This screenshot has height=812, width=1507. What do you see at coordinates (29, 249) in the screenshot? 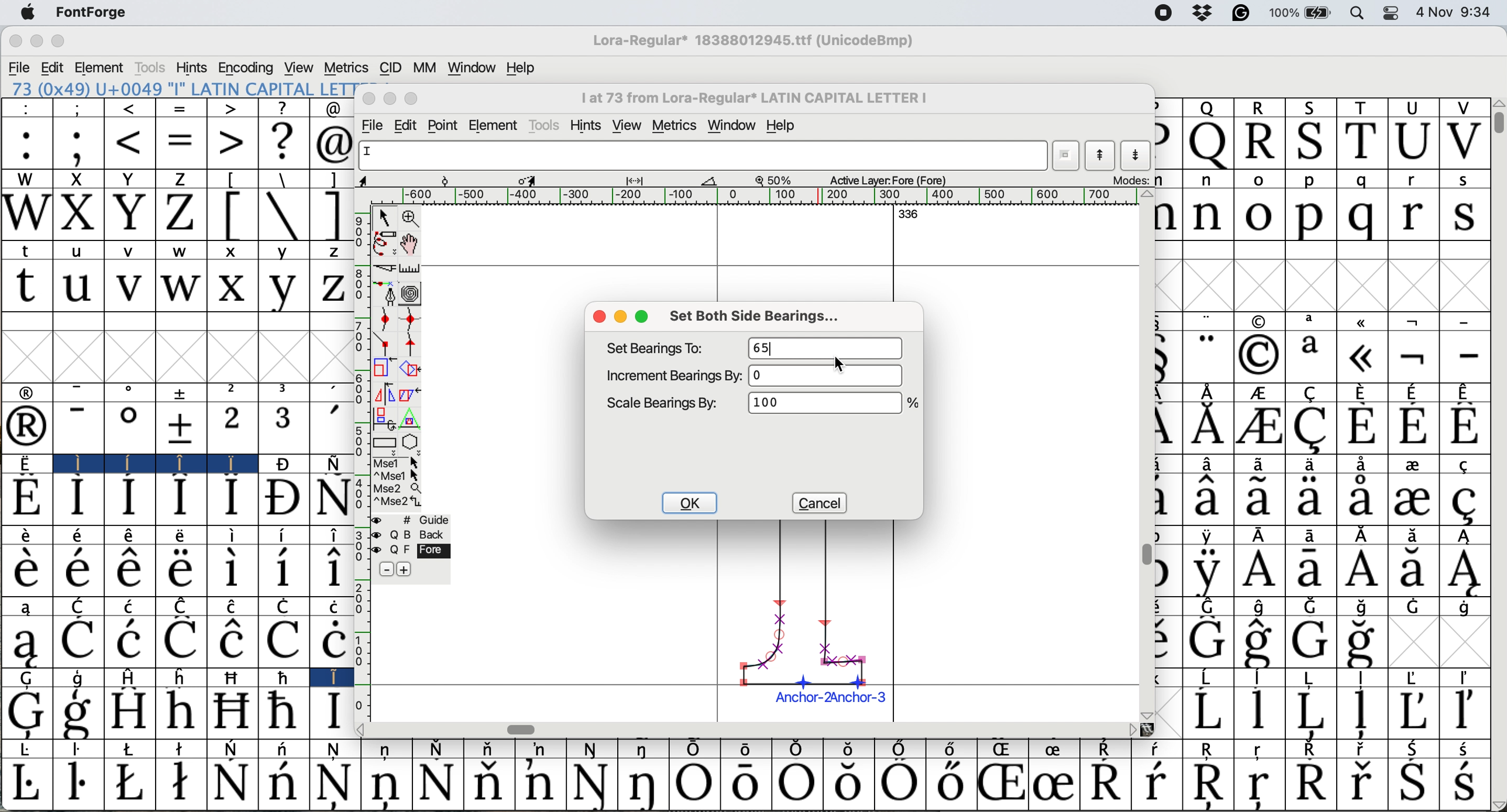
I see `t` at bounding box center [29, 249].